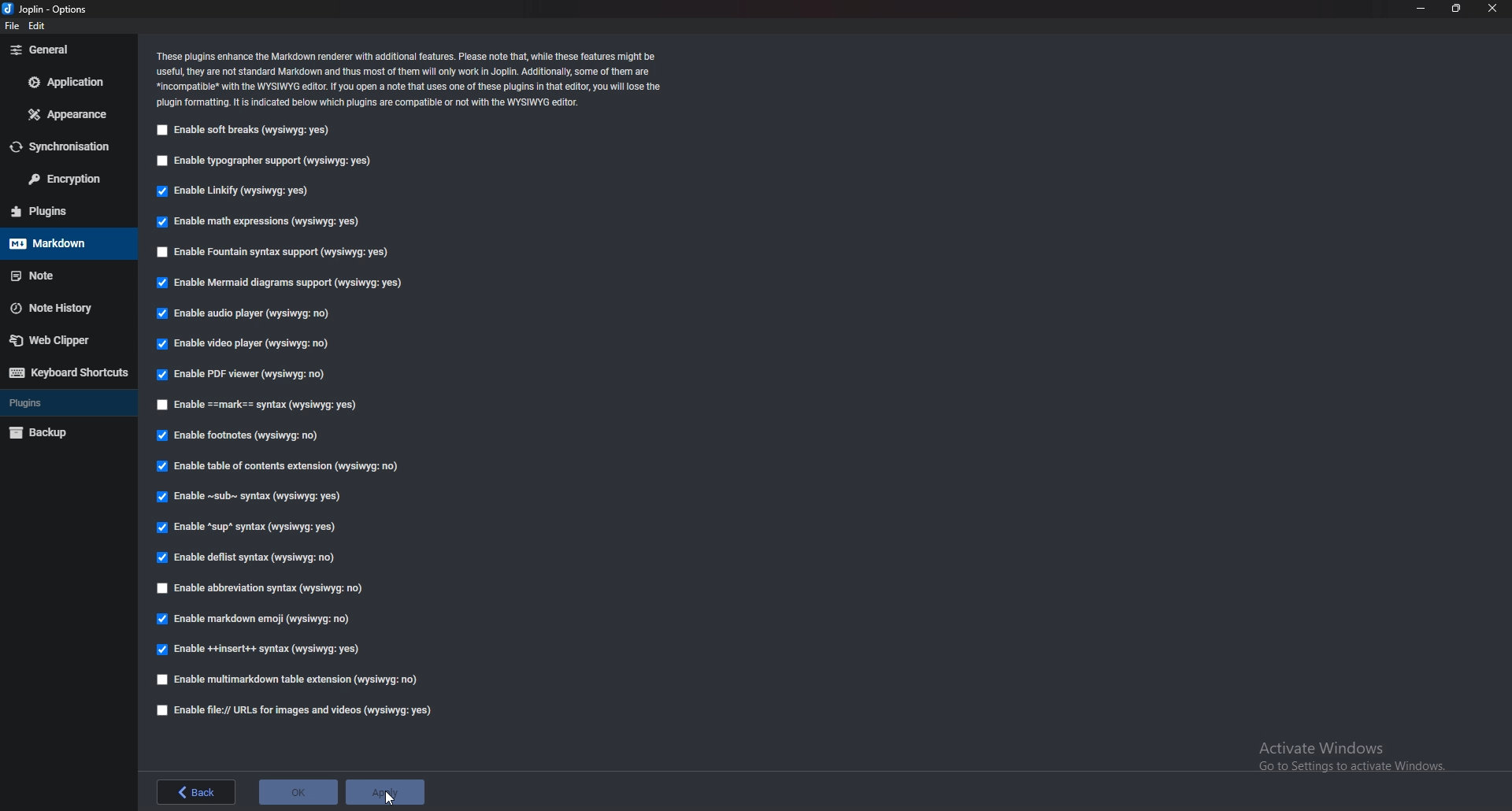 The height and width of the screenshot is (811, 1512). What do you see at coordinates (280, 469) in the screenshot?
I see `Enable table of contents extension` at bounding box center [280, 469].